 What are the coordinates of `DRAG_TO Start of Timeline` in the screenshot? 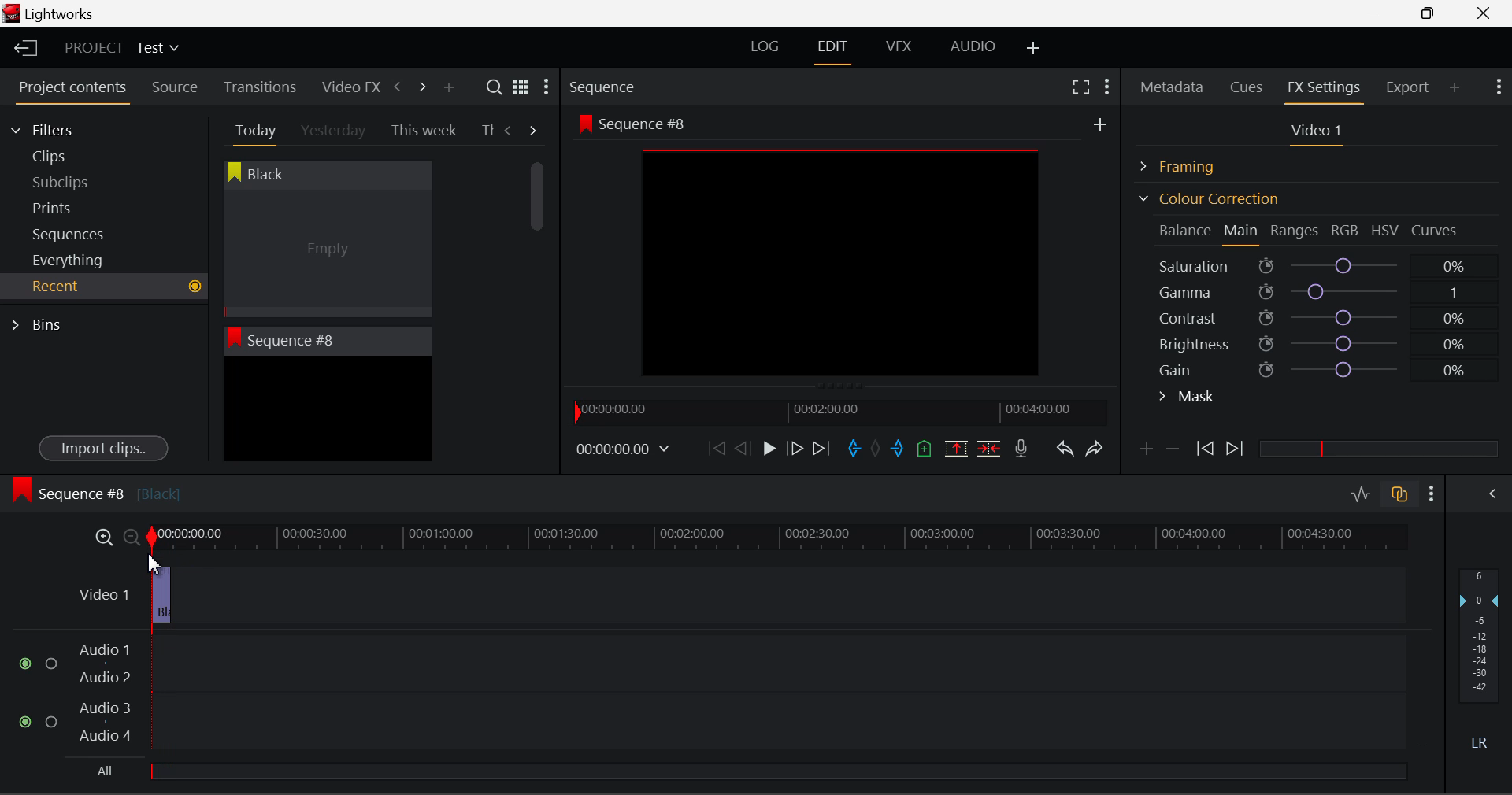 It's located at (155, 560).